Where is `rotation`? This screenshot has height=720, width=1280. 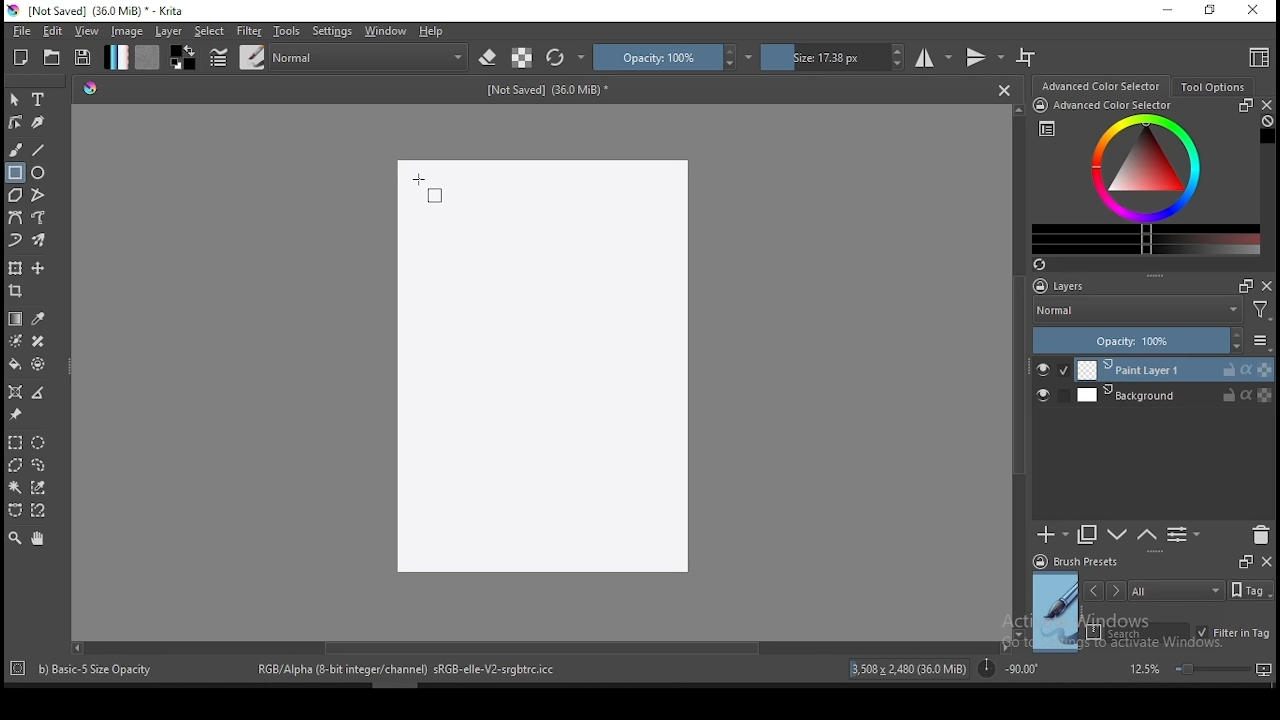 rotation is located at coordinates (1008, 667).